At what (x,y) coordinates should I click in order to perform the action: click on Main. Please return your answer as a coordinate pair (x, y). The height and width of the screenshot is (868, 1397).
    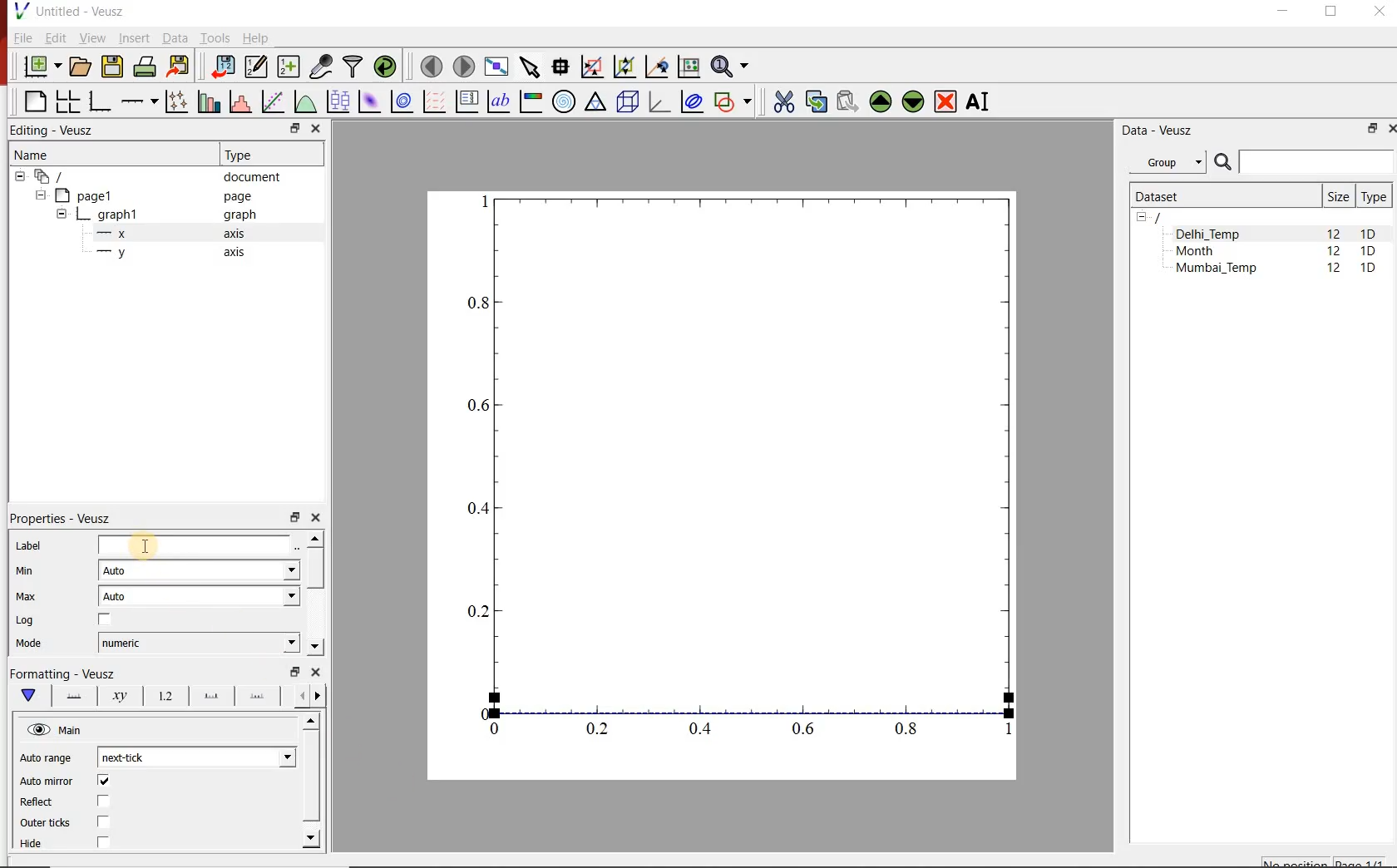
    Looking at the image, I should click on (57, 730).